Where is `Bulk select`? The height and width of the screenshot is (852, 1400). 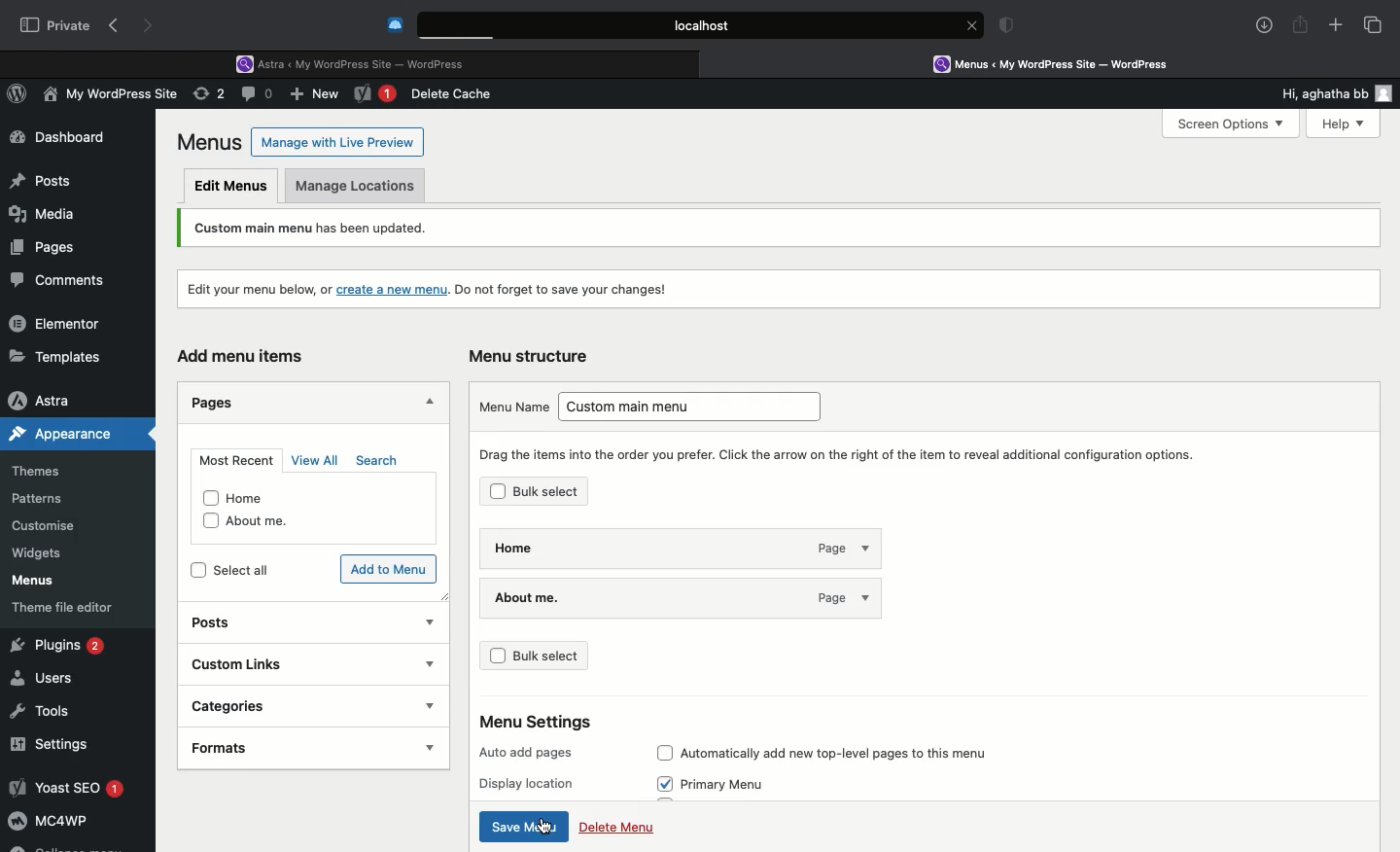
Bulk select is located at coordinates (569, 493).